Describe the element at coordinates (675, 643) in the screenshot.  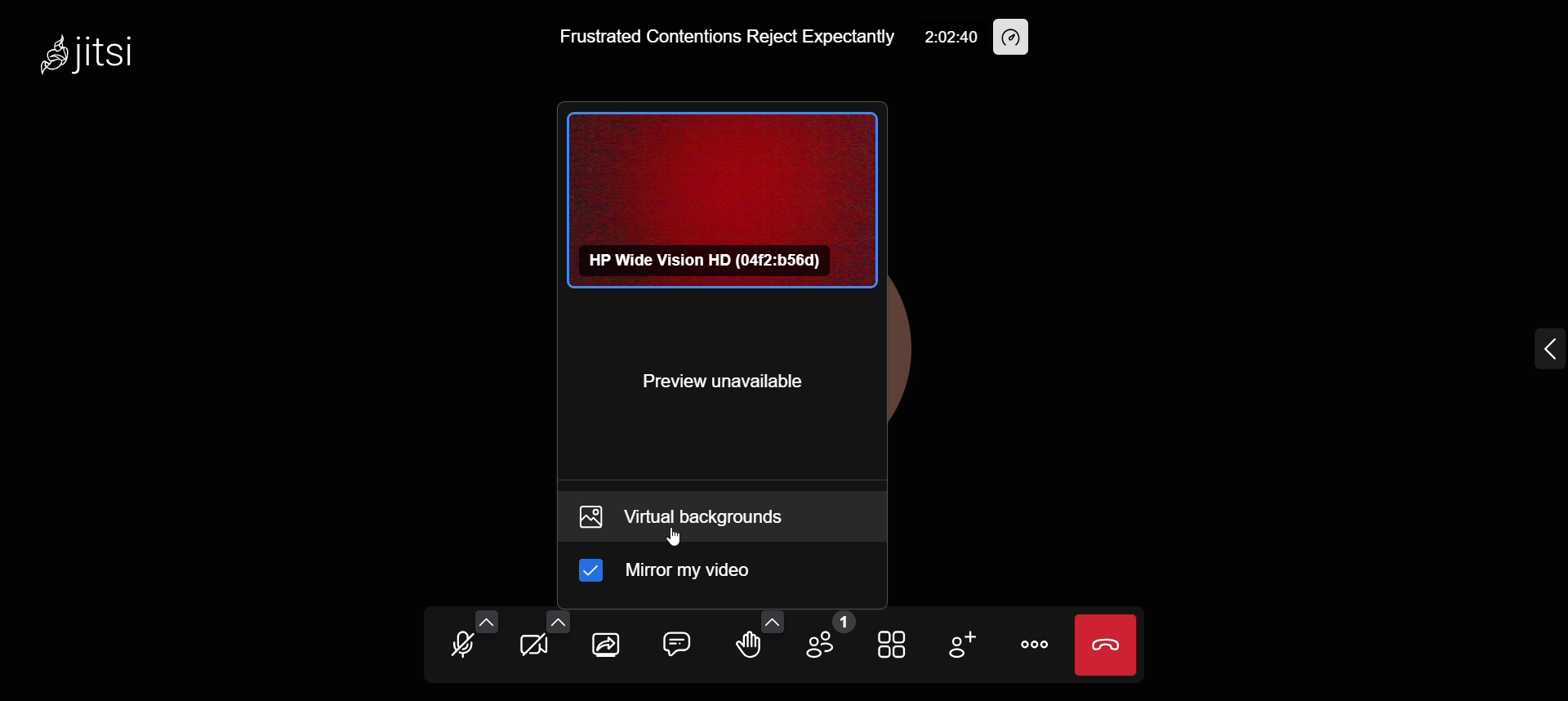
I see `chat` at that location.